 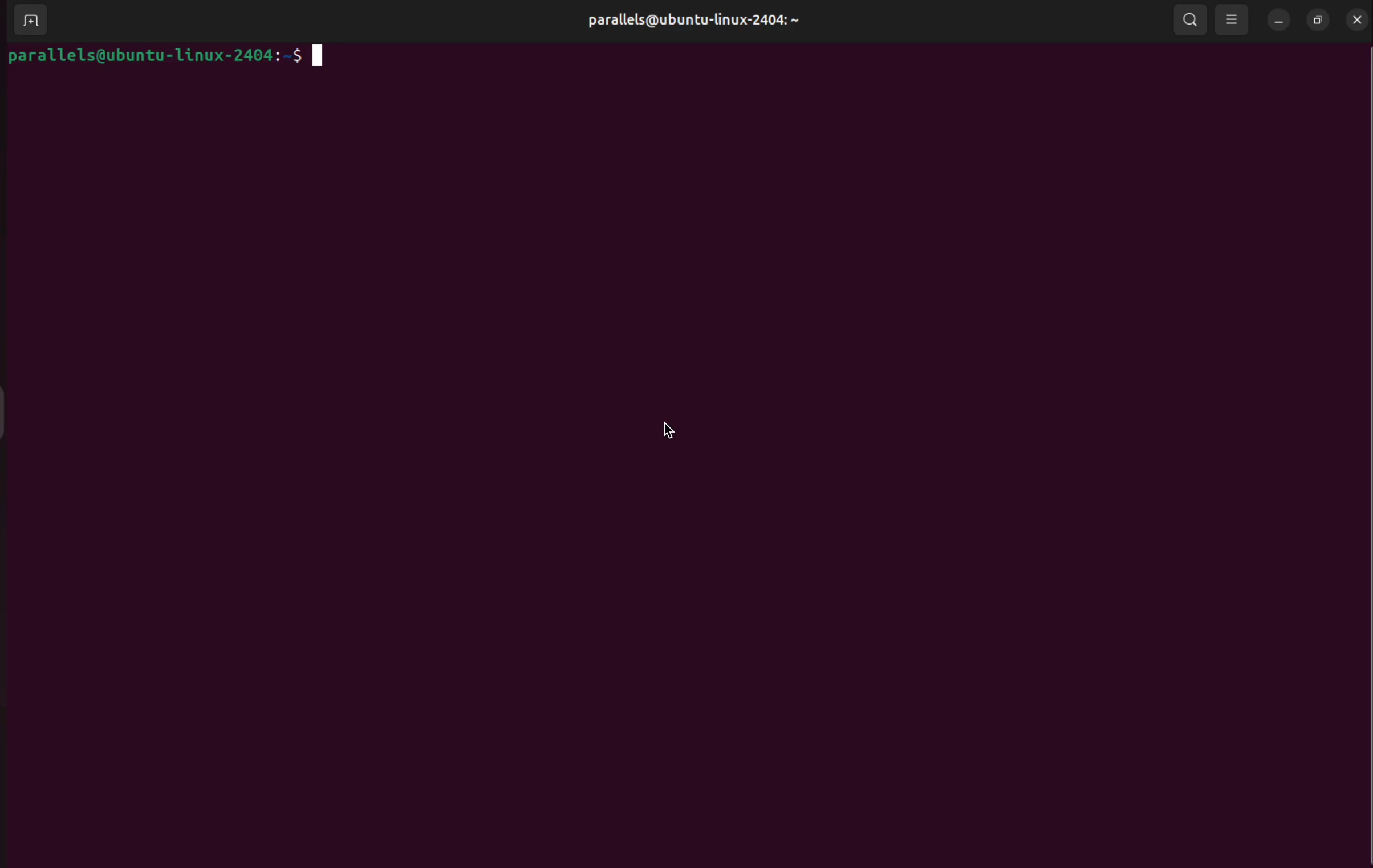 What do you see at coordinates (30, 22) in the screenshot?
I see `add treminal` at bounding box center [30, 22].